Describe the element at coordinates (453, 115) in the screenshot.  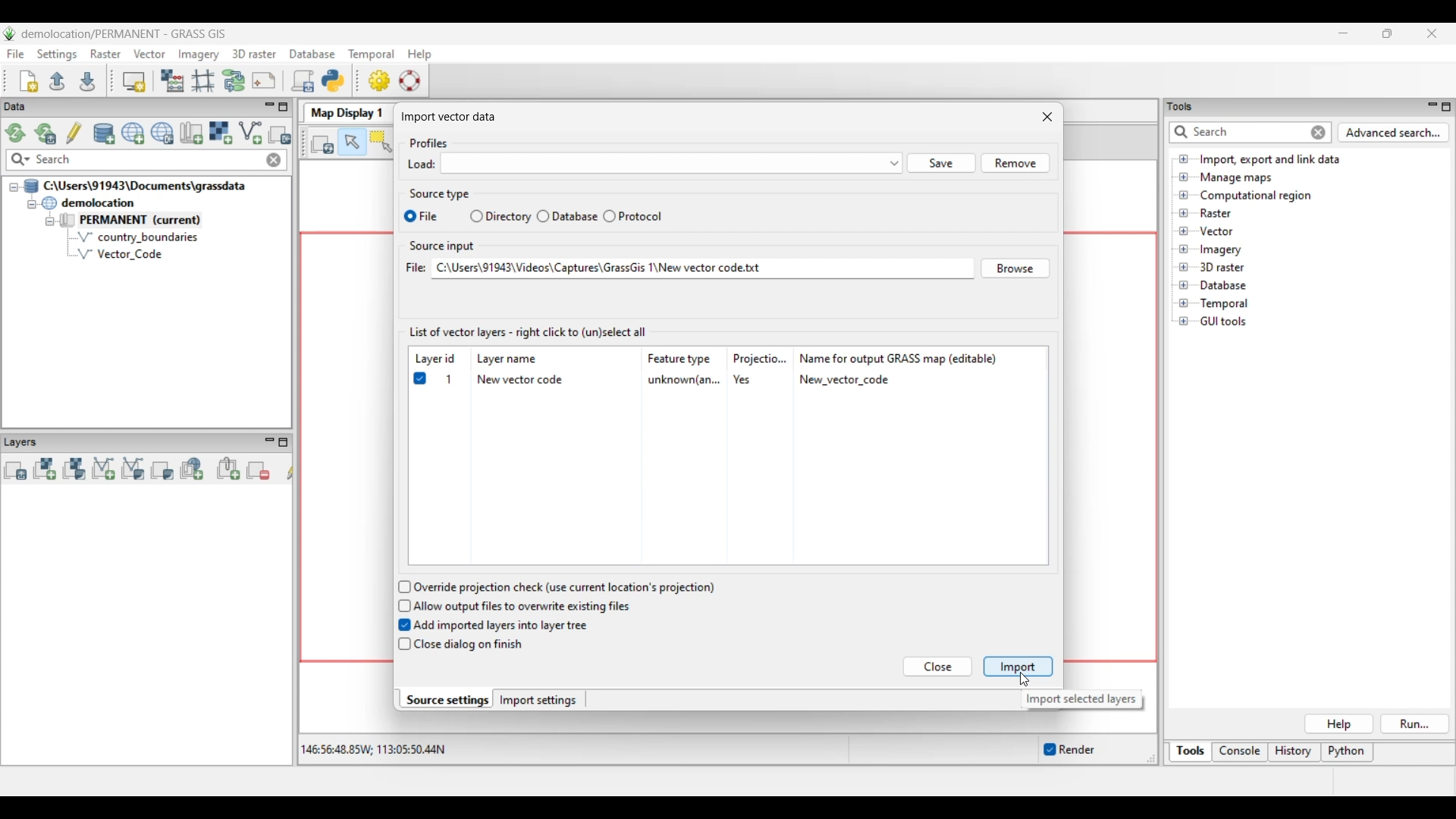
I see `| Import vector data` at that location.